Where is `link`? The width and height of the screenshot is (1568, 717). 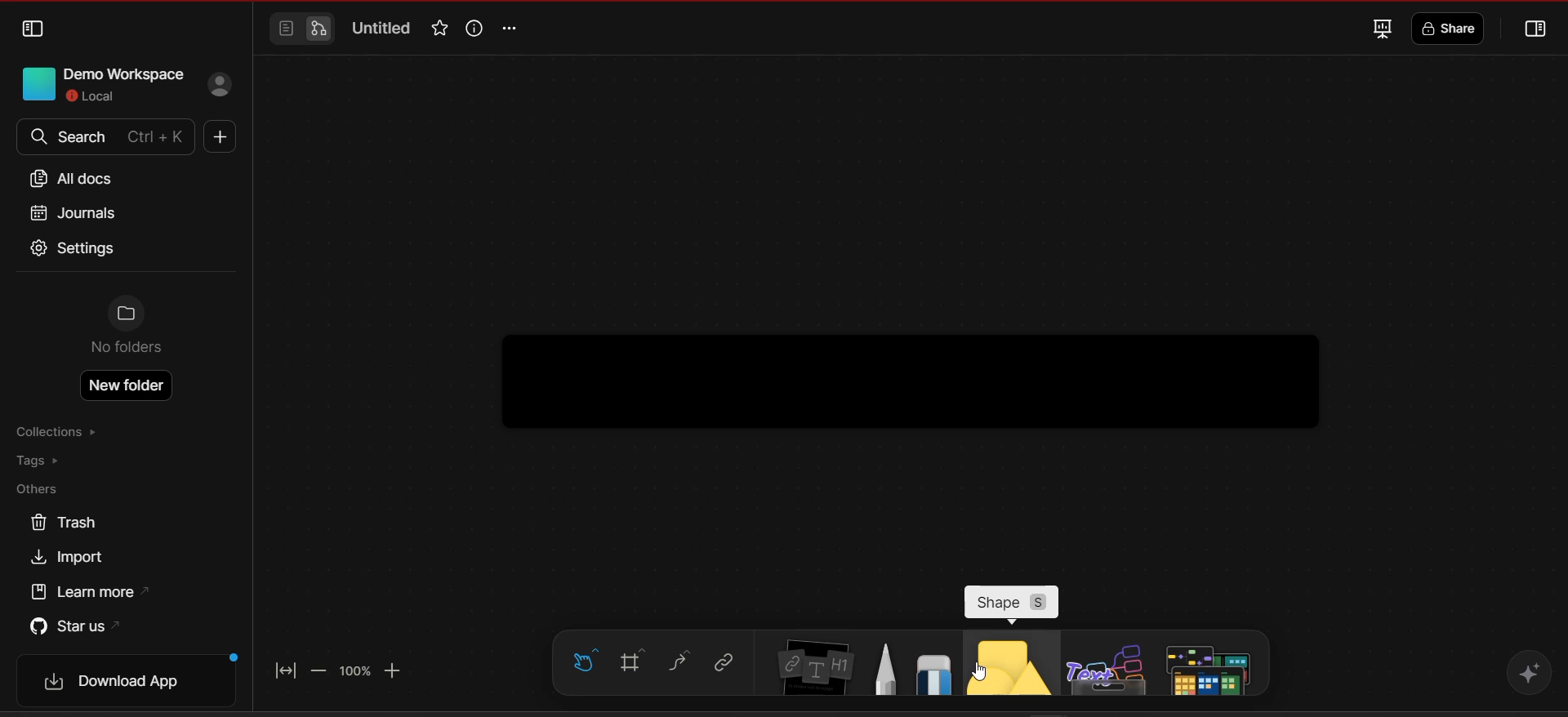
link is located at coordinates (724, 663).